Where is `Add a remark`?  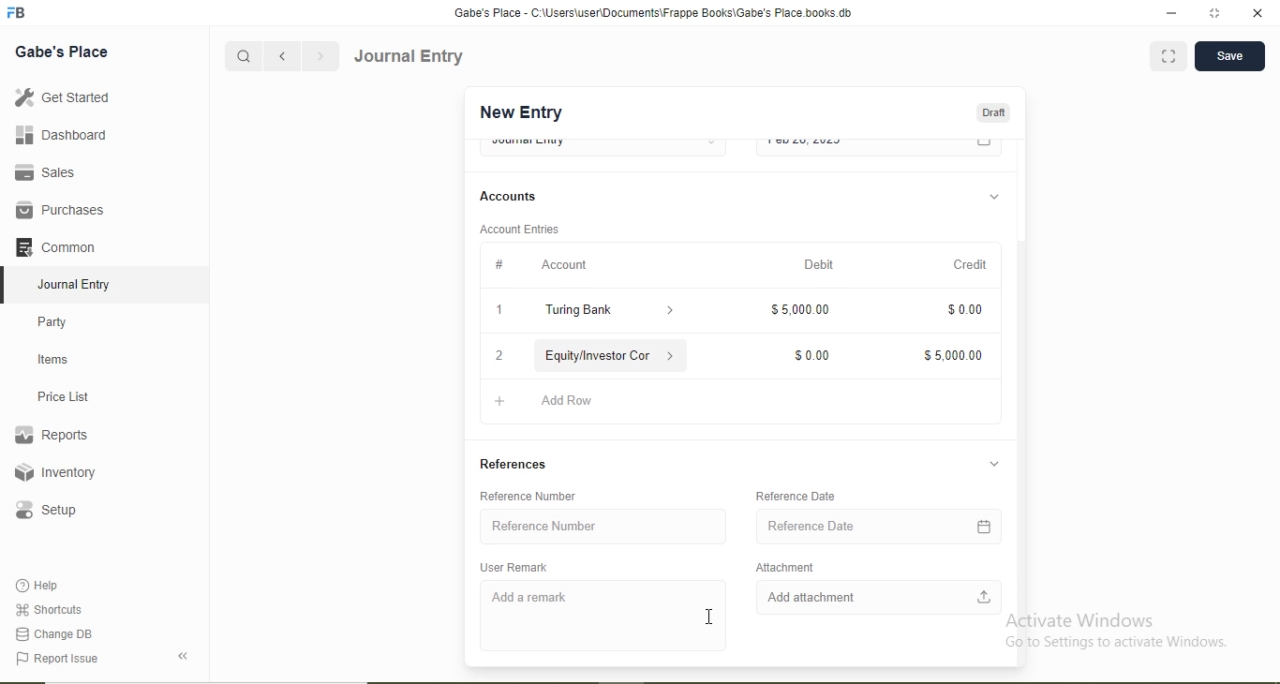 Add a remark is located at coordinates (530, 598).